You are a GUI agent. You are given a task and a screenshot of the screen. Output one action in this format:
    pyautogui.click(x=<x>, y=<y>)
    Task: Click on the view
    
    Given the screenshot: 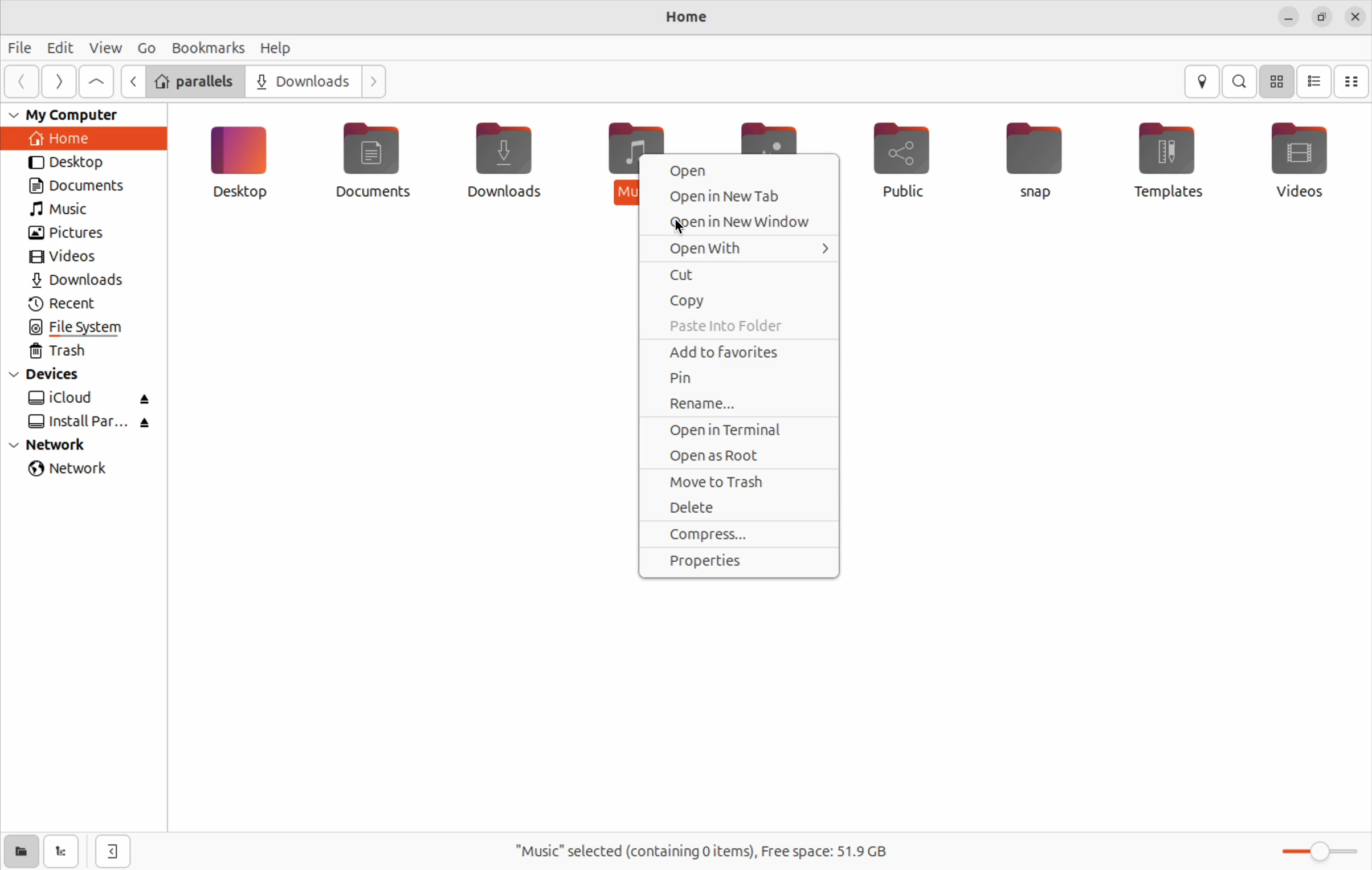 What is the action you would take?
    pyautogui.click(x=105, y=47)
    